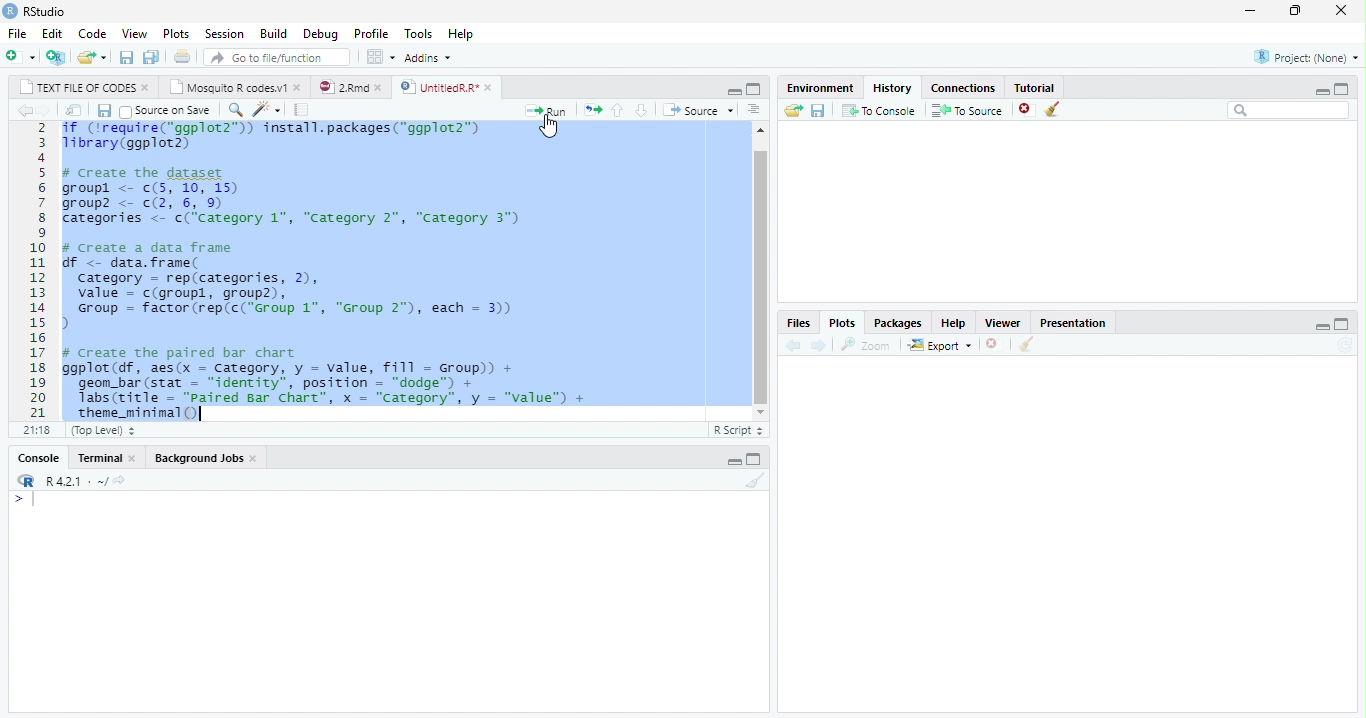 The image size is (1366, 718). What do you see at coordinates (277, 58) in the screenshot?
I see `go to file/function` at bounding box center [277, 58].